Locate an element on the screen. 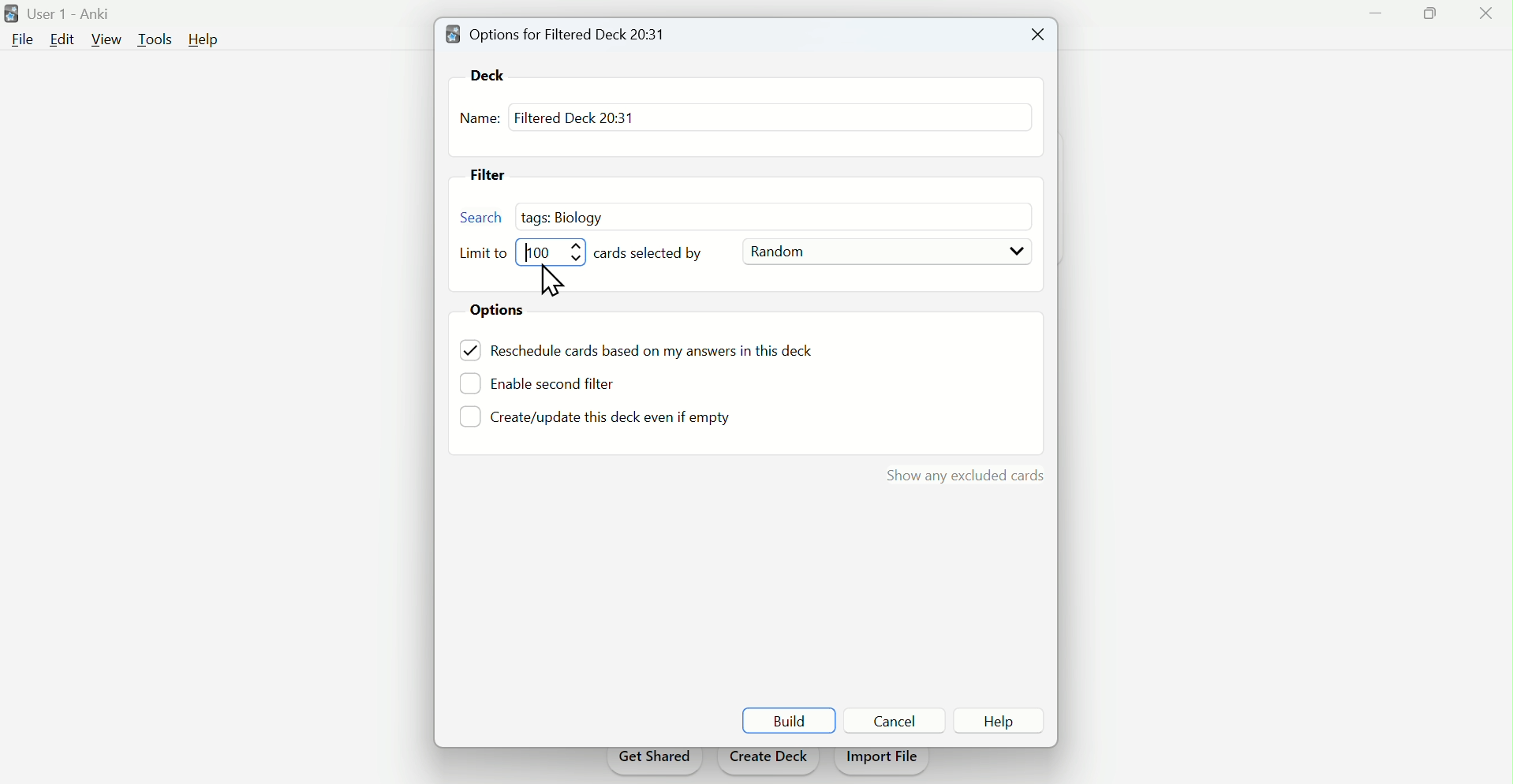  Minimise is located at coordinates (1376, 13).